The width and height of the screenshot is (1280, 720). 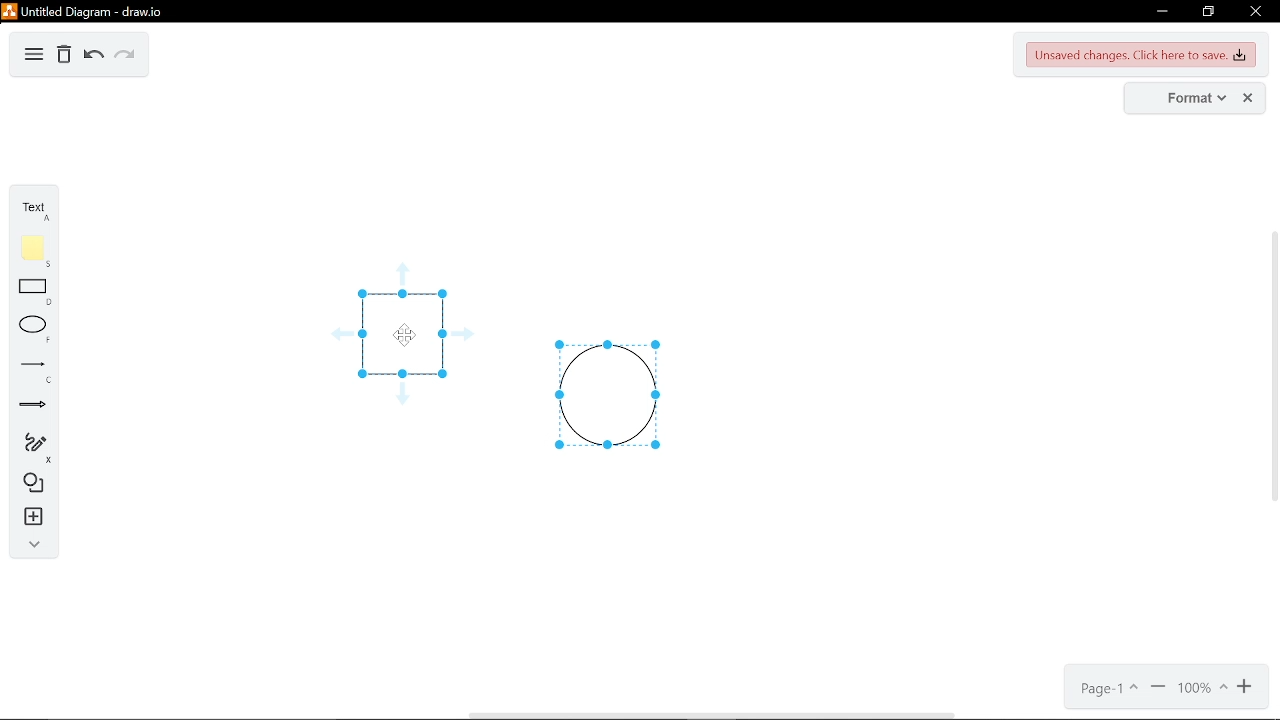 What do you see at coordinates (28, 544) in the screenshot?
I see `collapse` at bounding box center [28, 544].